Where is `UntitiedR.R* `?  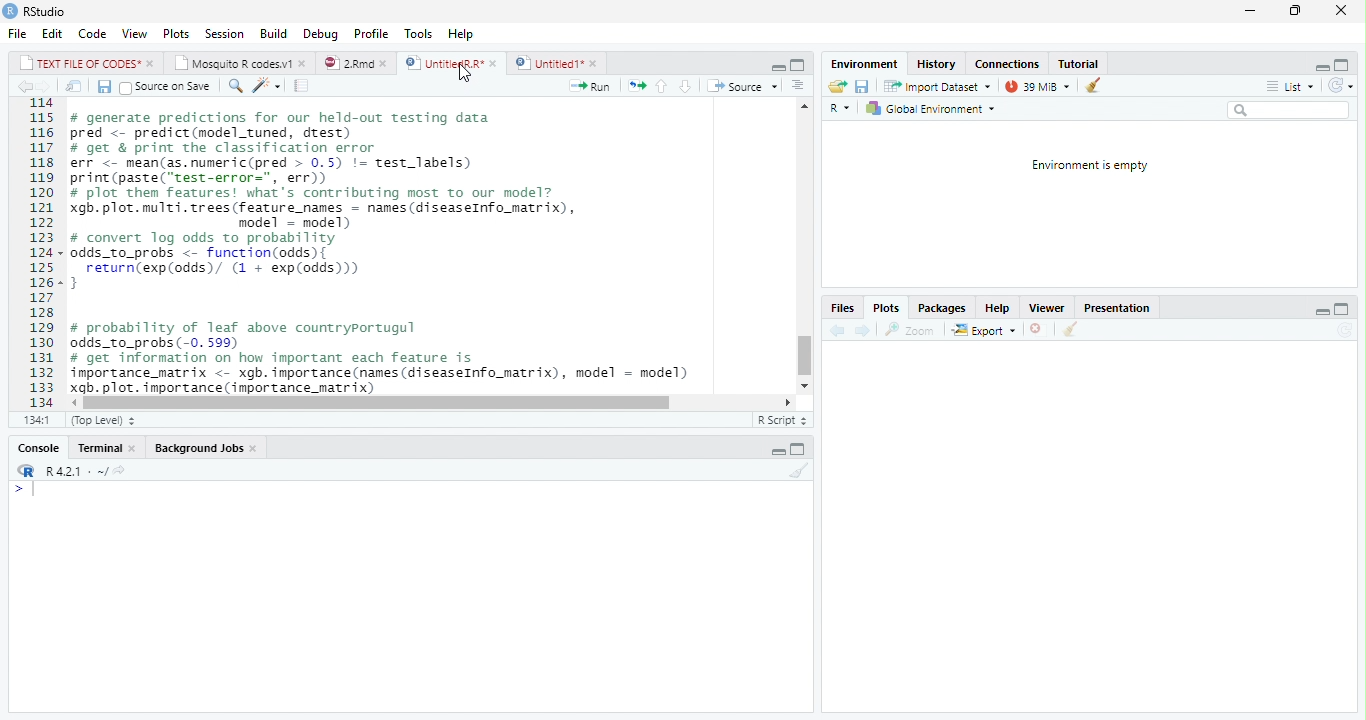
UntitiedR.R*  is located at coordinates (451, 62).